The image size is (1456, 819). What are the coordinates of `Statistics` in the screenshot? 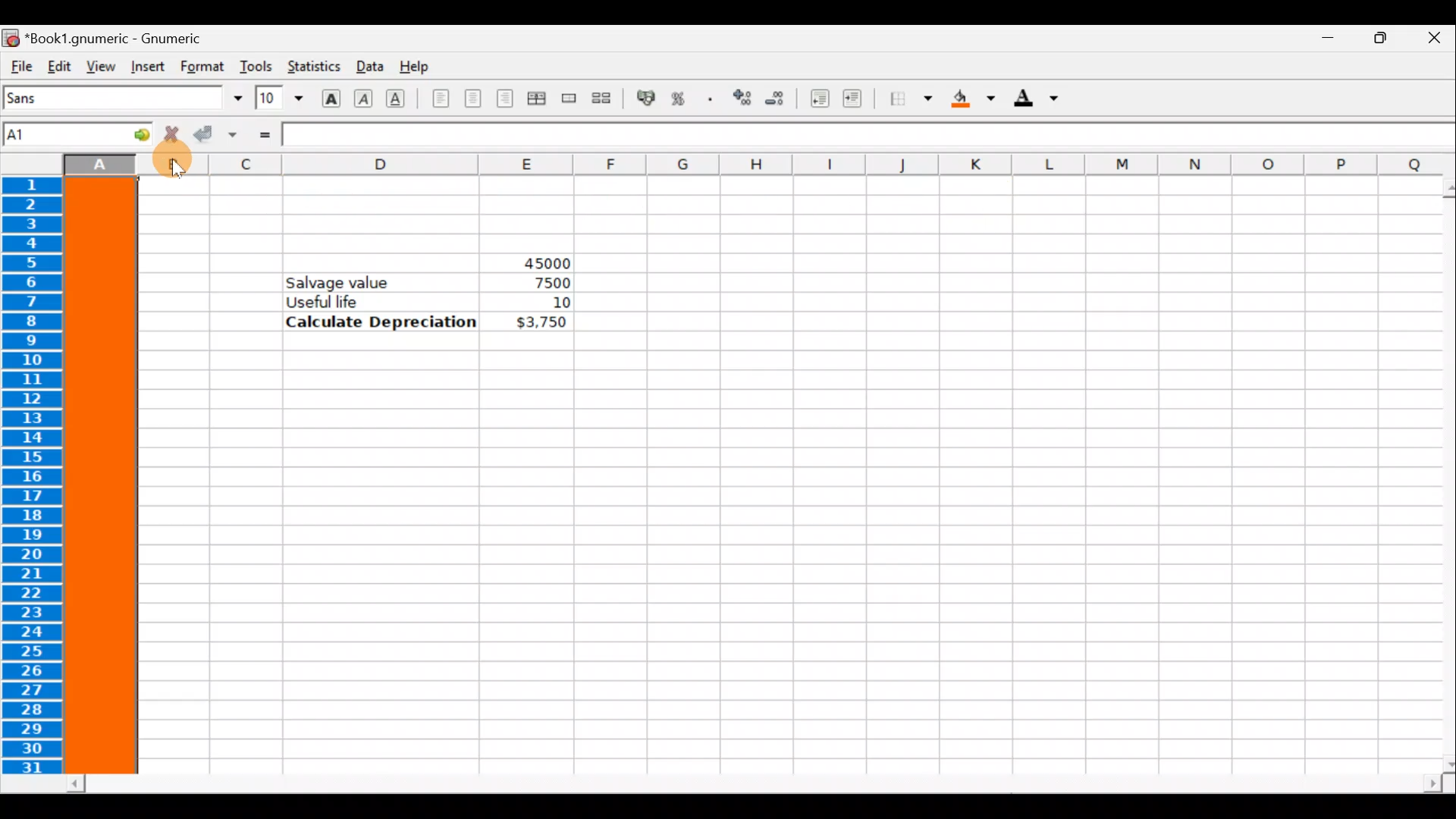 It's located at (312, 67).